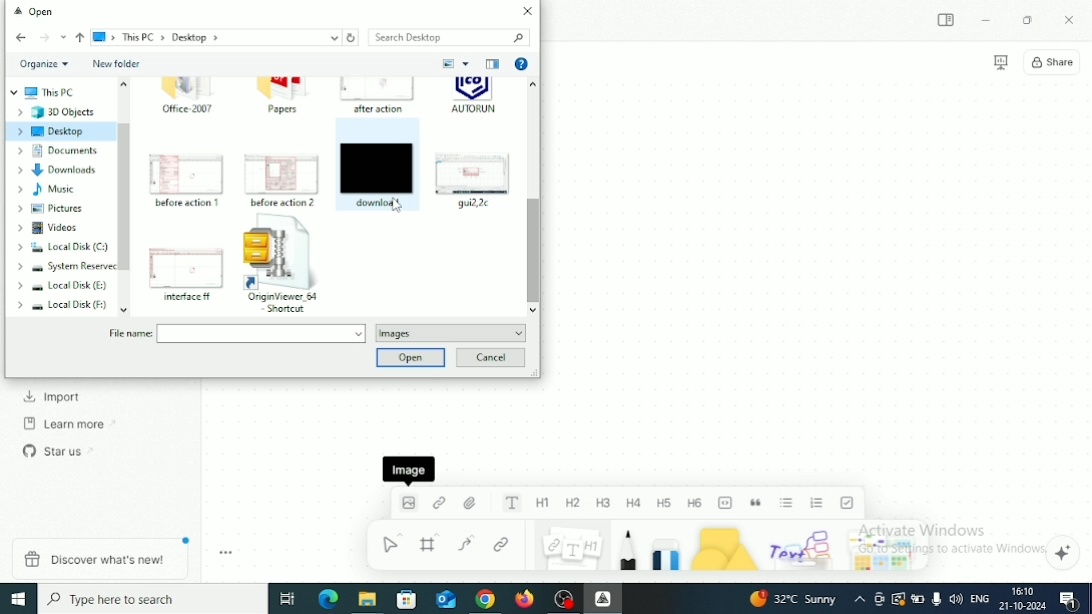  I want to click on Affine, so click(603, 598).